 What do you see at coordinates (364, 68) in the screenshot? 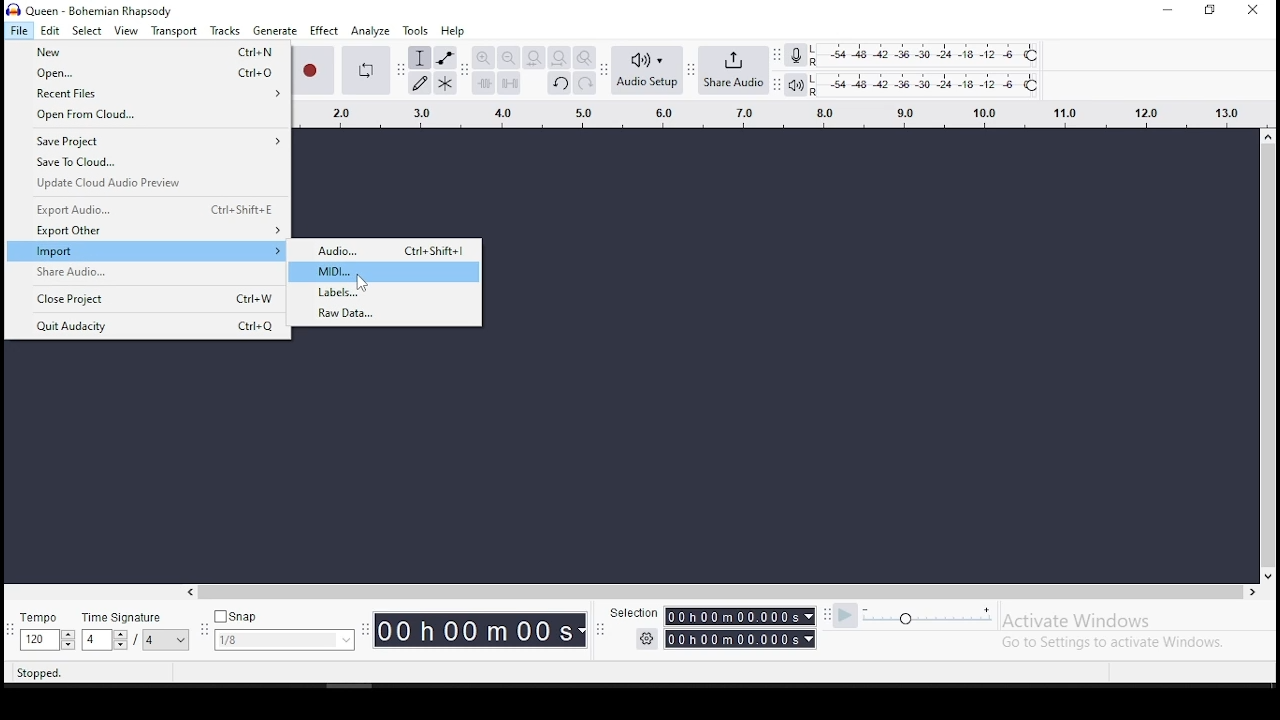
I see `enable looping` at bounding box center [364, 68].